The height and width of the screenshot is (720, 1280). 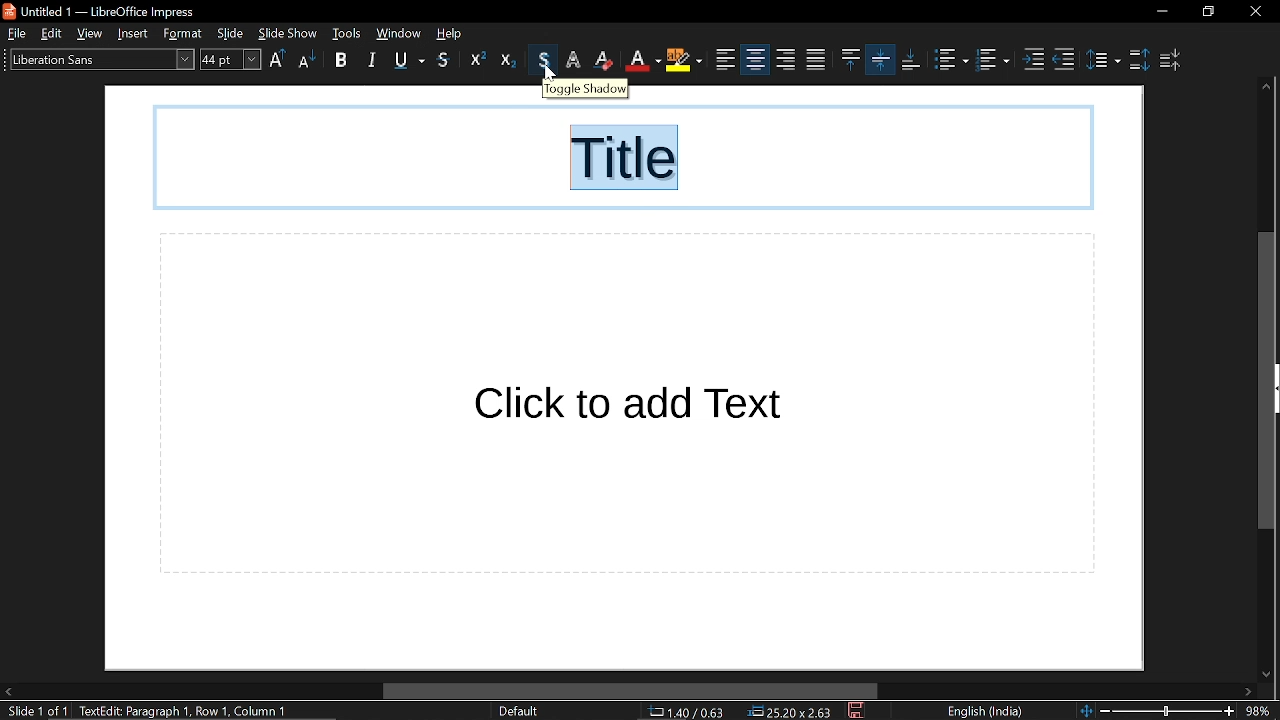 I want to click on bold, so click(x=341, y=62).